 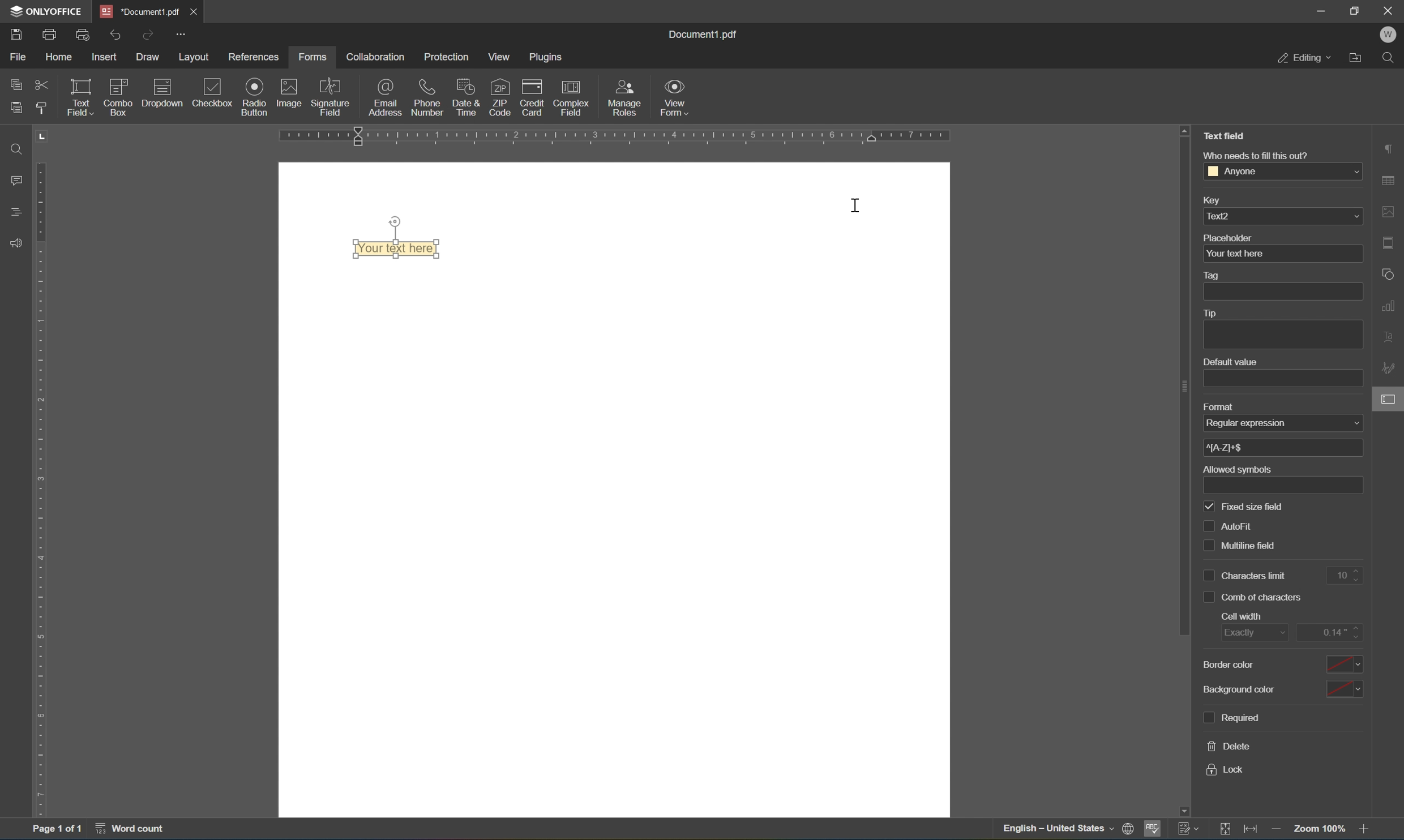 I want to click on references, so click(x=256, y=57).